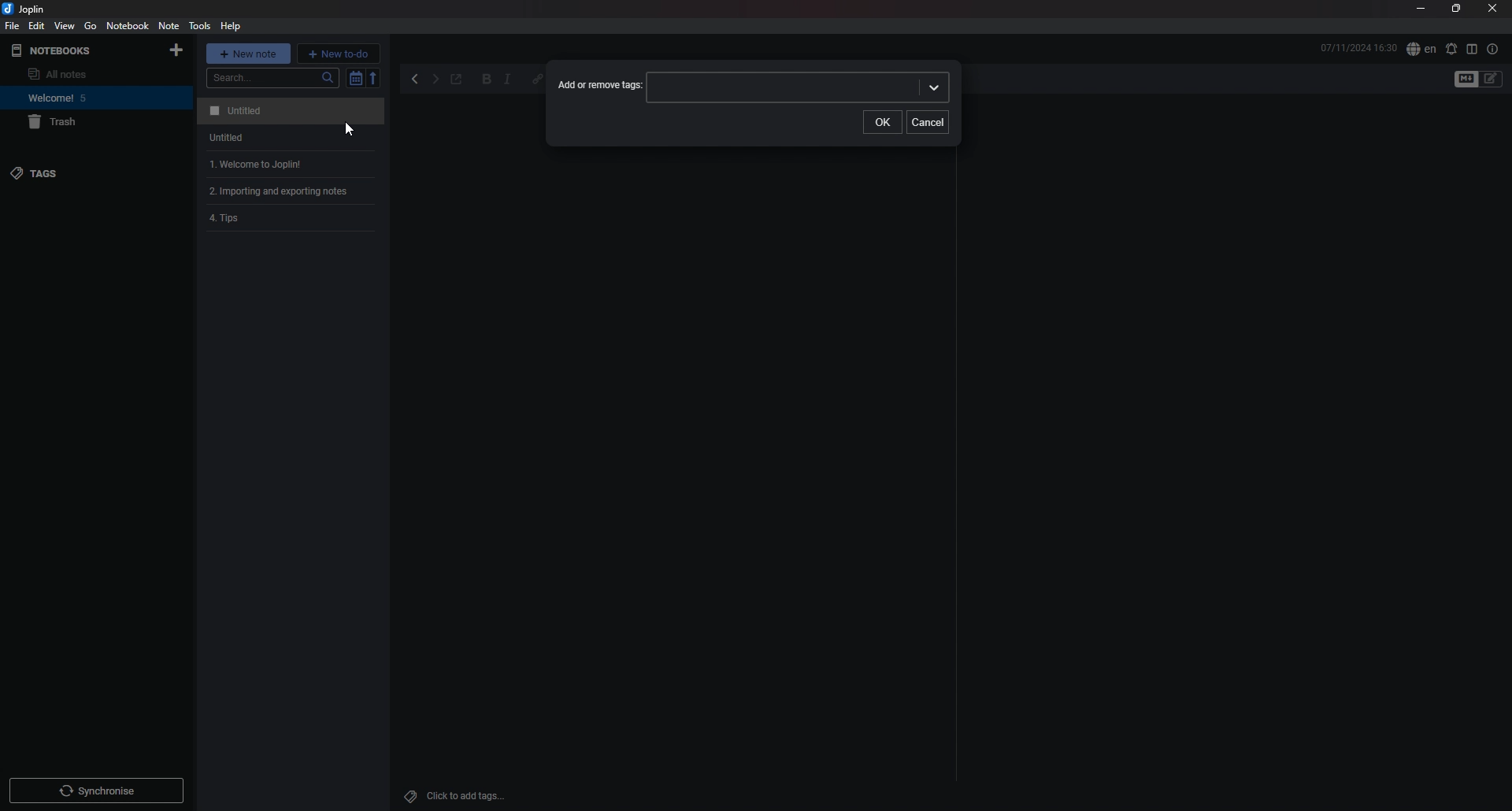 The image size is (1512, 811). I want to click on all notes, so click(76, 74).